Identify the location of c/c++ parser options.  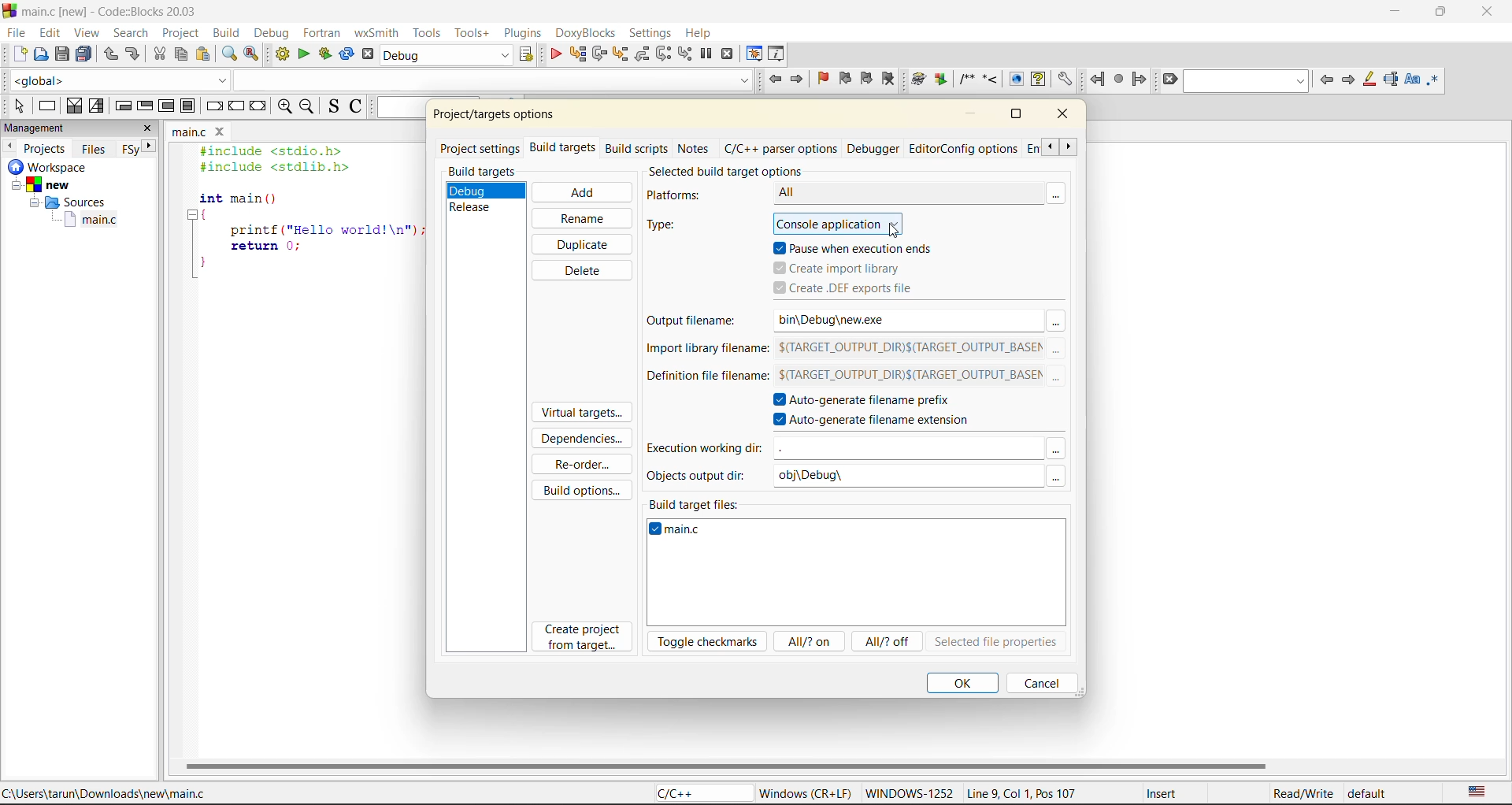
(783, 148).